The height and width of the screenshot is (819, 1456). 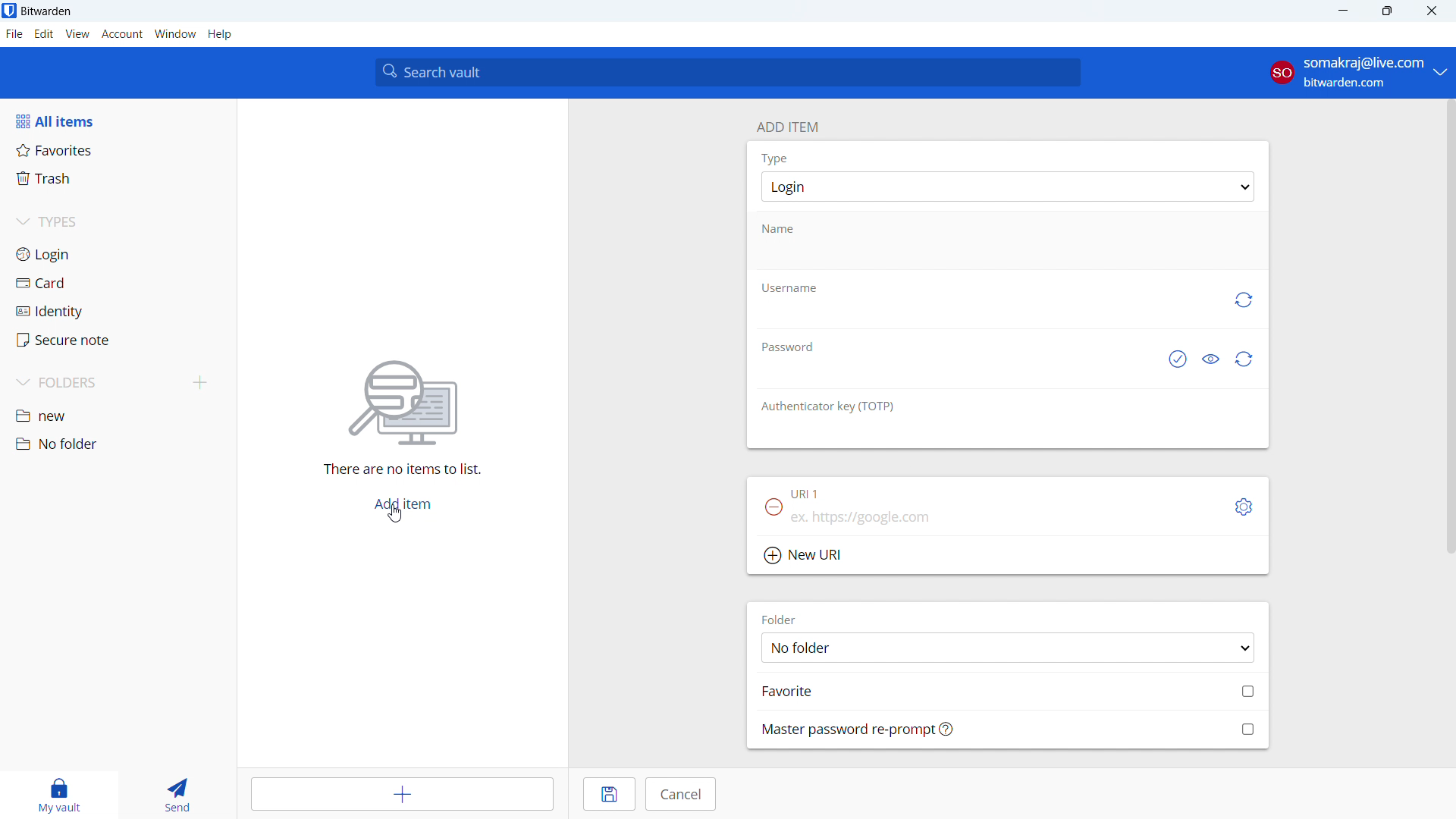 What do you see at coordinates (118, 312) in the screenshot?
I see `identity` at bounding box center [118, 312].